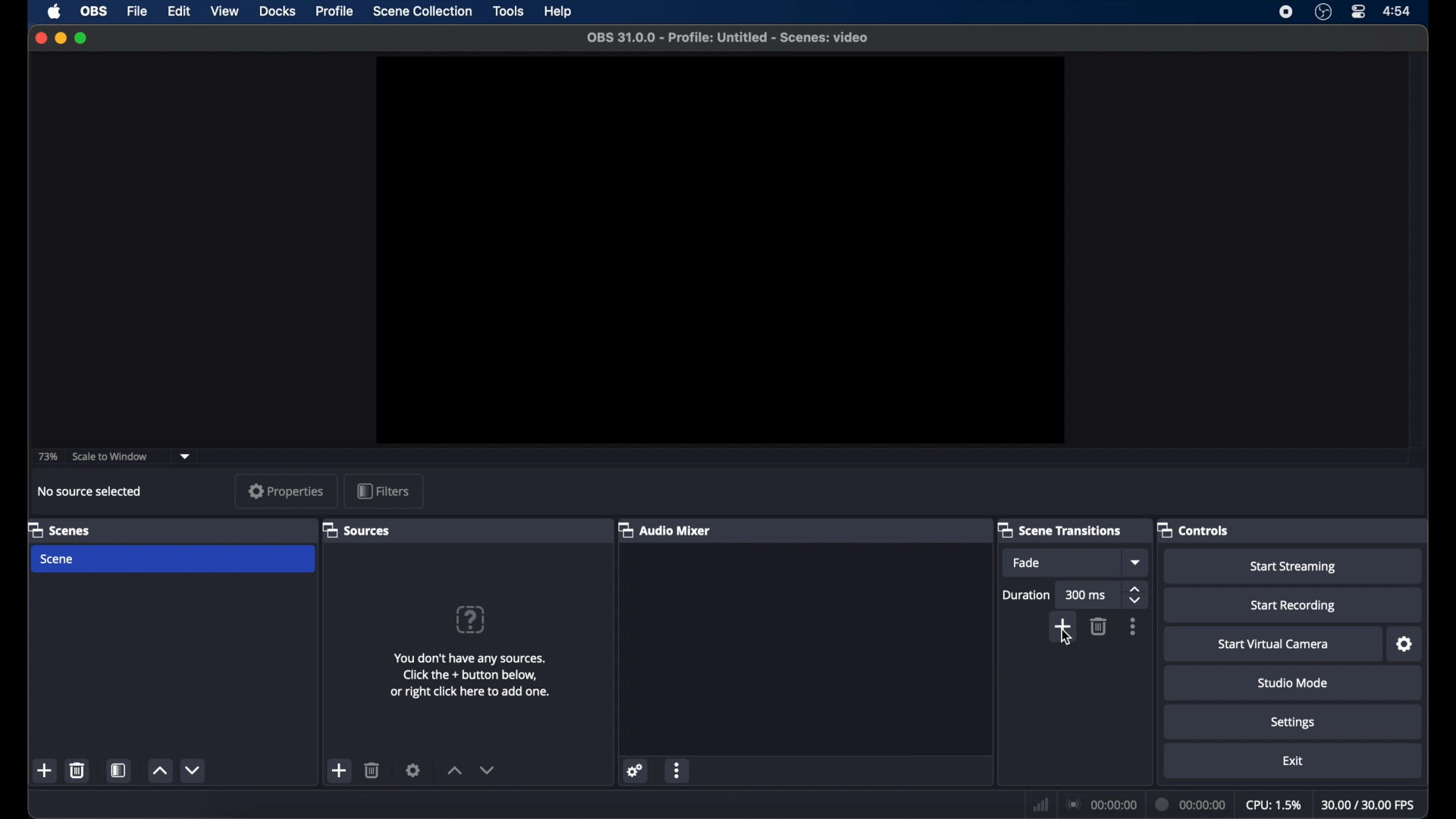 The width and height of the screenshot is (1456, 819). Describe the element at coordinates (286, 491) in the screenshot. I see `properties` at that location.